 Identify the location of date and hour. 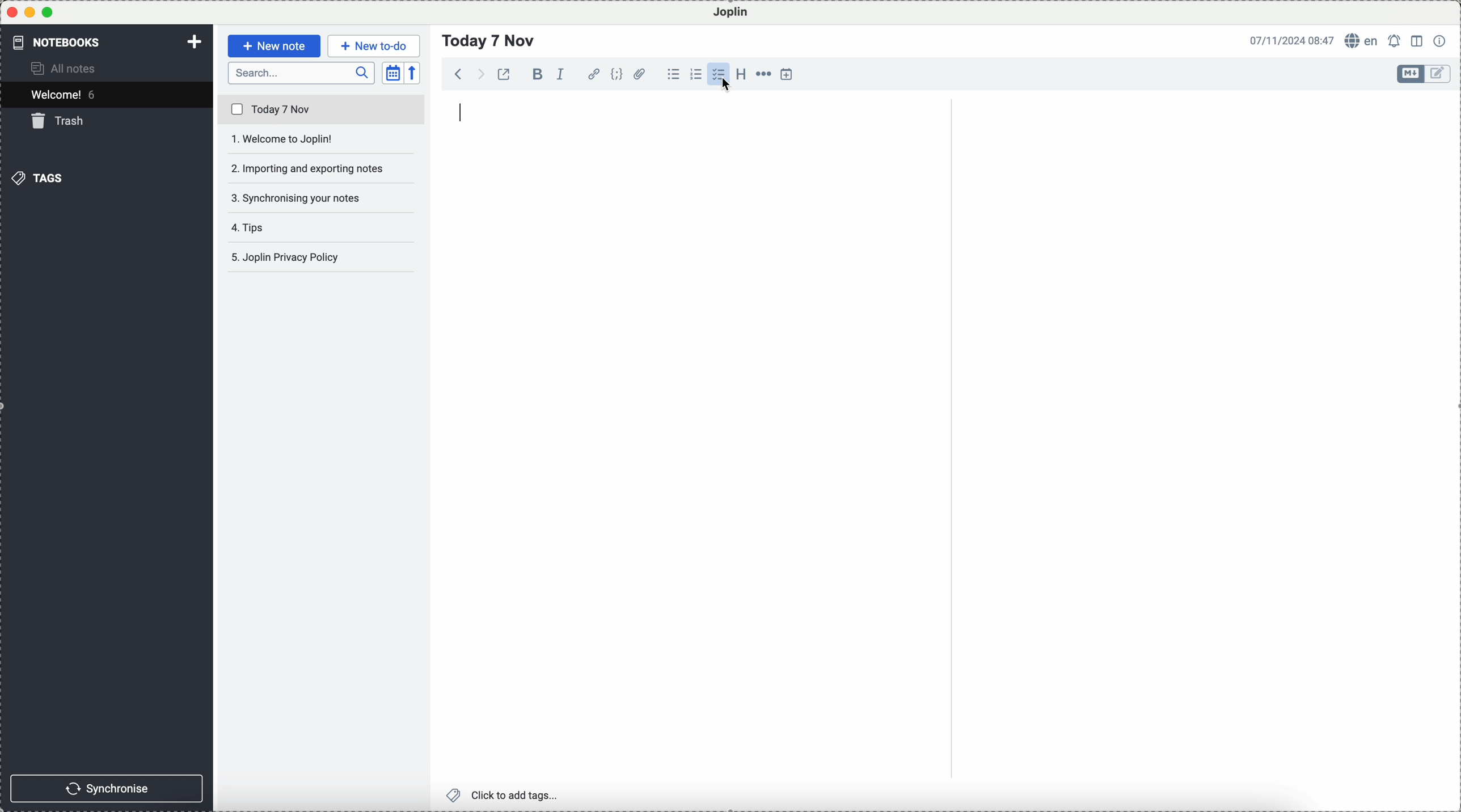
(1292, 40).